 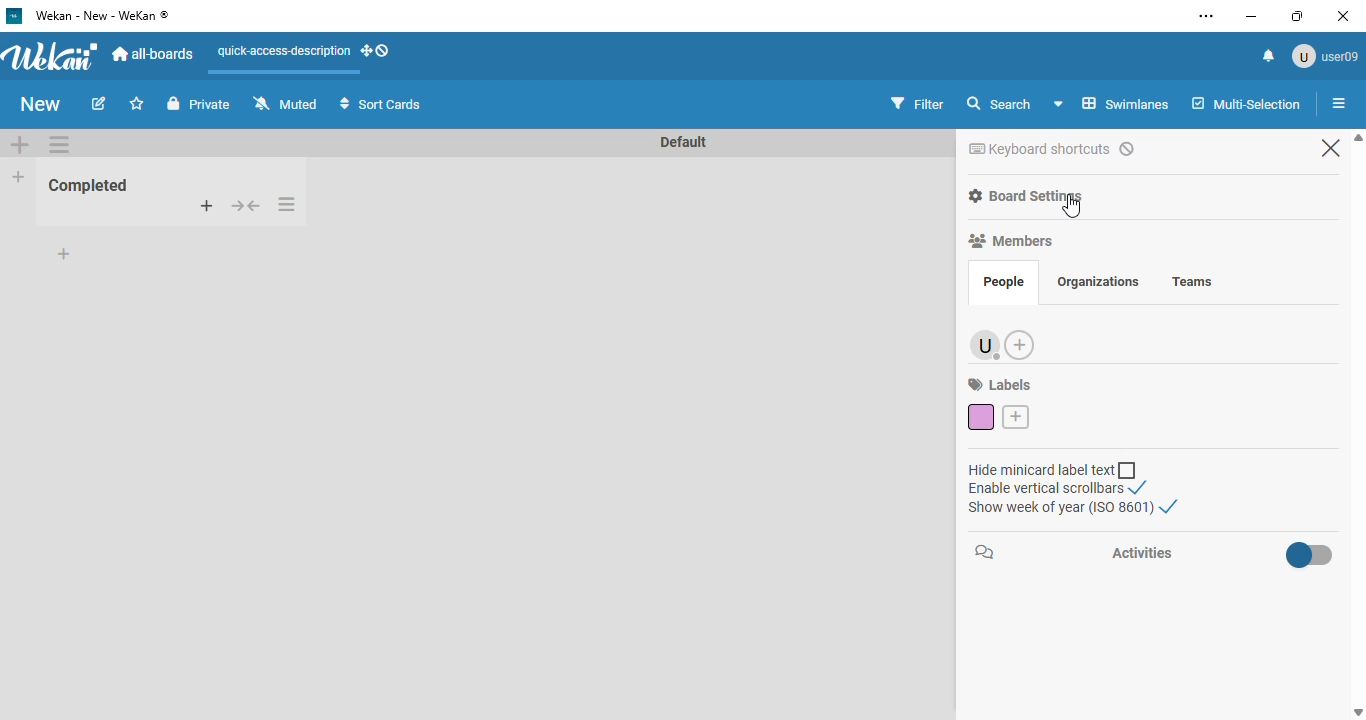 I want to click on collapse, so click(x=246, y=206).